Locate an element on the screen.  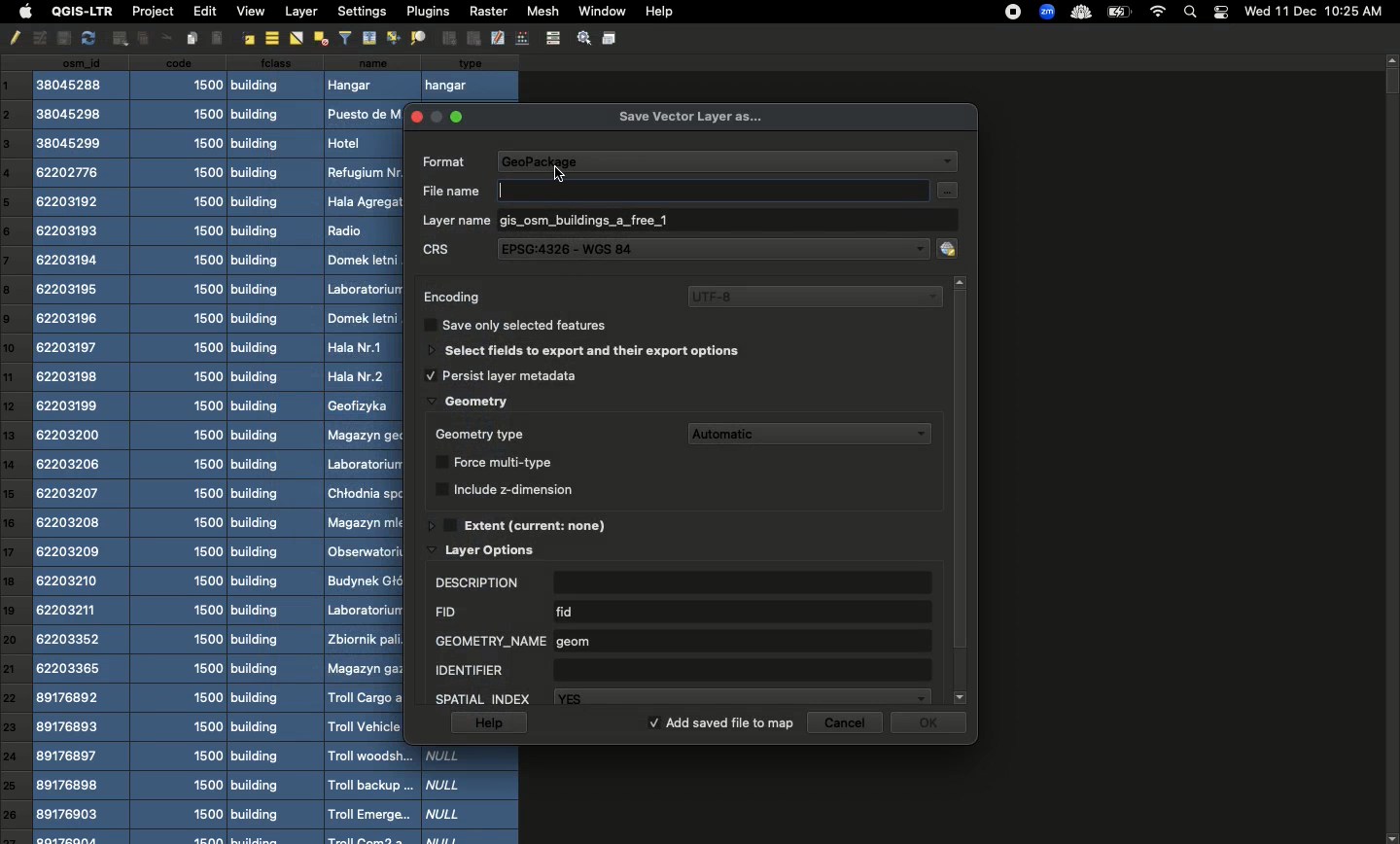
QGIS-LTR is located at coordinates (79, 12).